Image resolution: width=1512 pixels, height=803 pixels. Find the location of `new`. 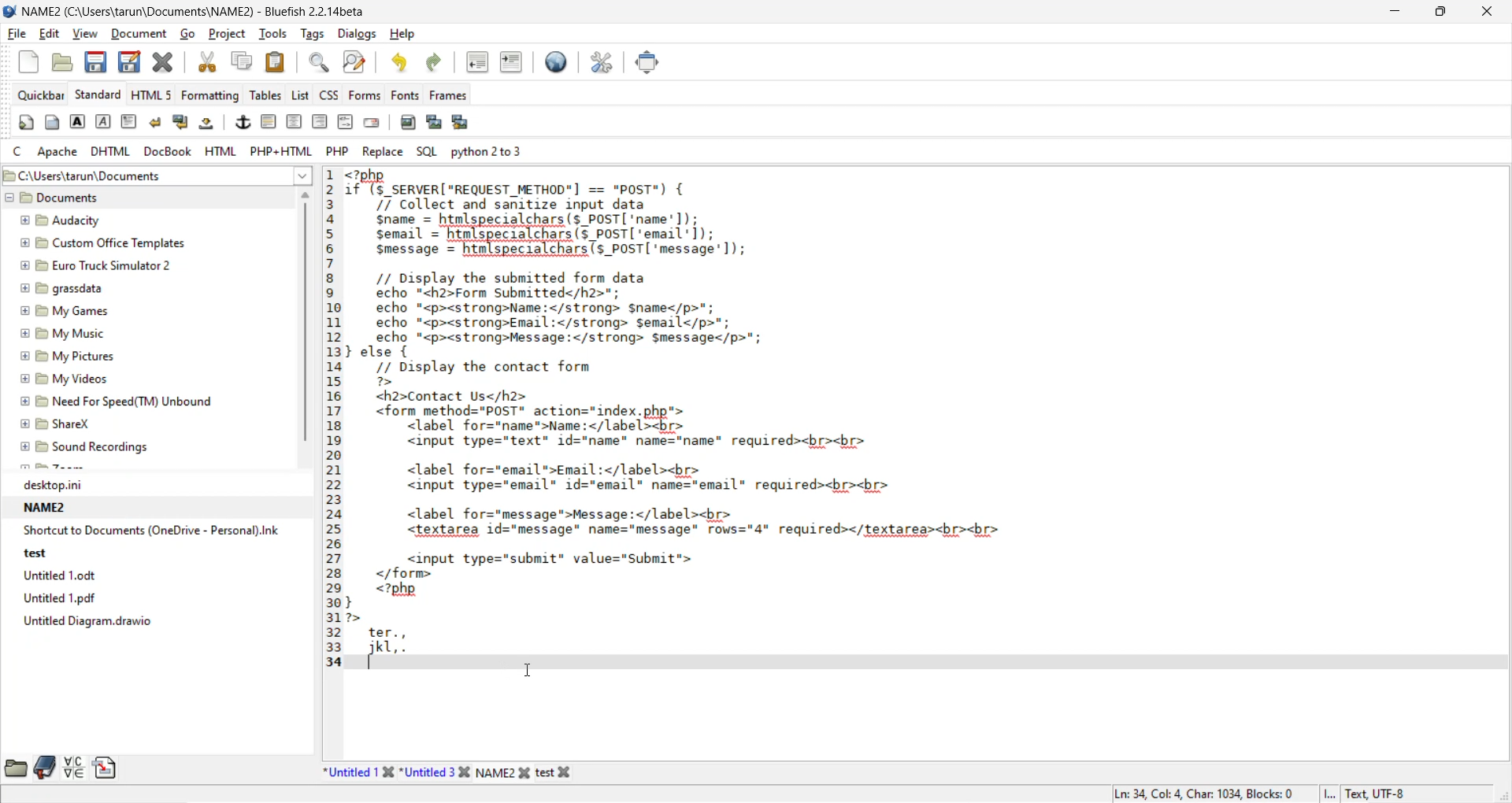

new is located at coordinates (31, 61).